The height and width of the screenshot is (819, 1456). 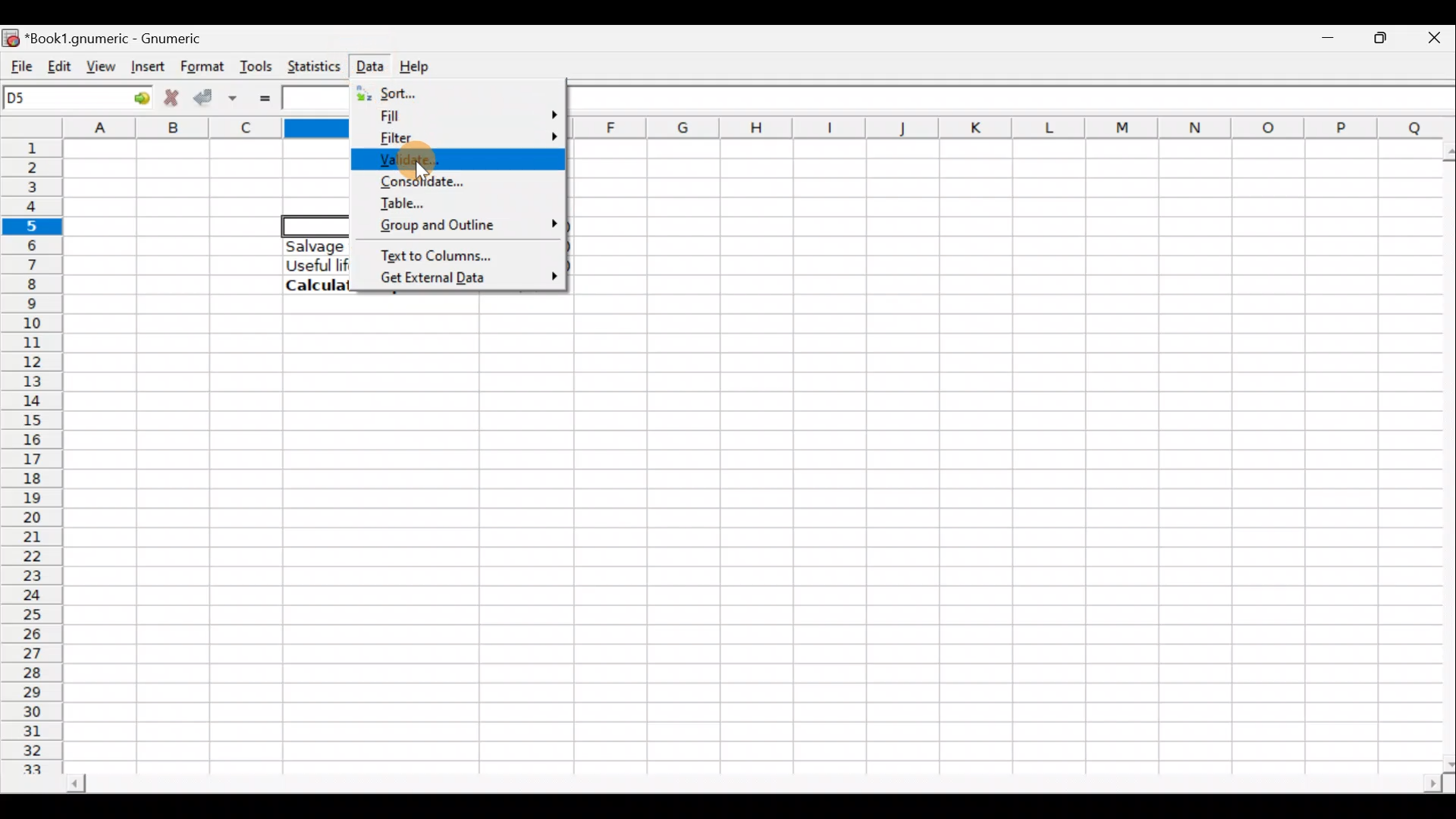 What do you see at coordinates (313, 224) in the screenshot?
I see `Selected cell` at bounding box center [313, 224].